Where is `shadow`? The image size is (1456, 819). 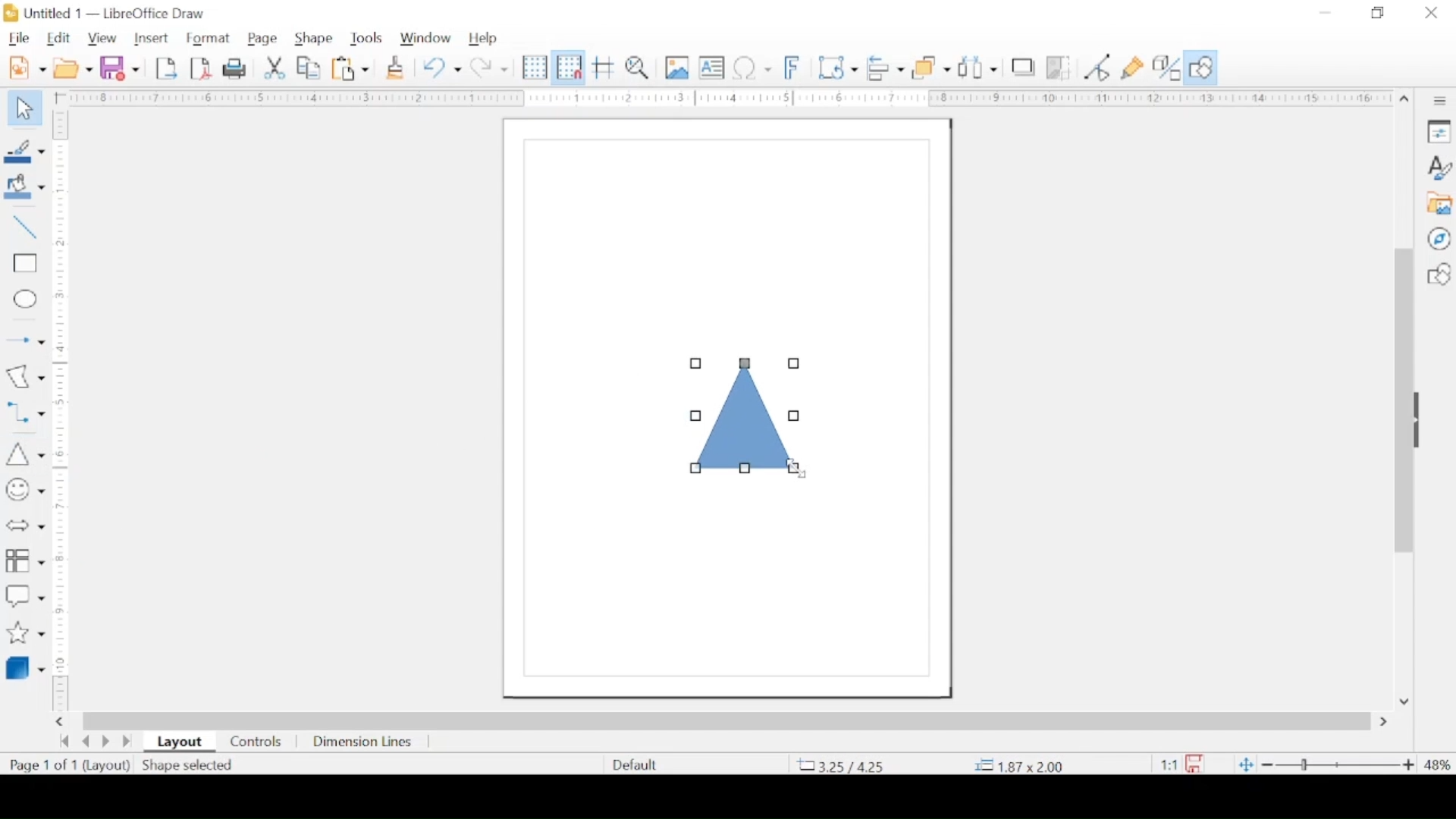
shadow is located at coordinates (1025, 67).